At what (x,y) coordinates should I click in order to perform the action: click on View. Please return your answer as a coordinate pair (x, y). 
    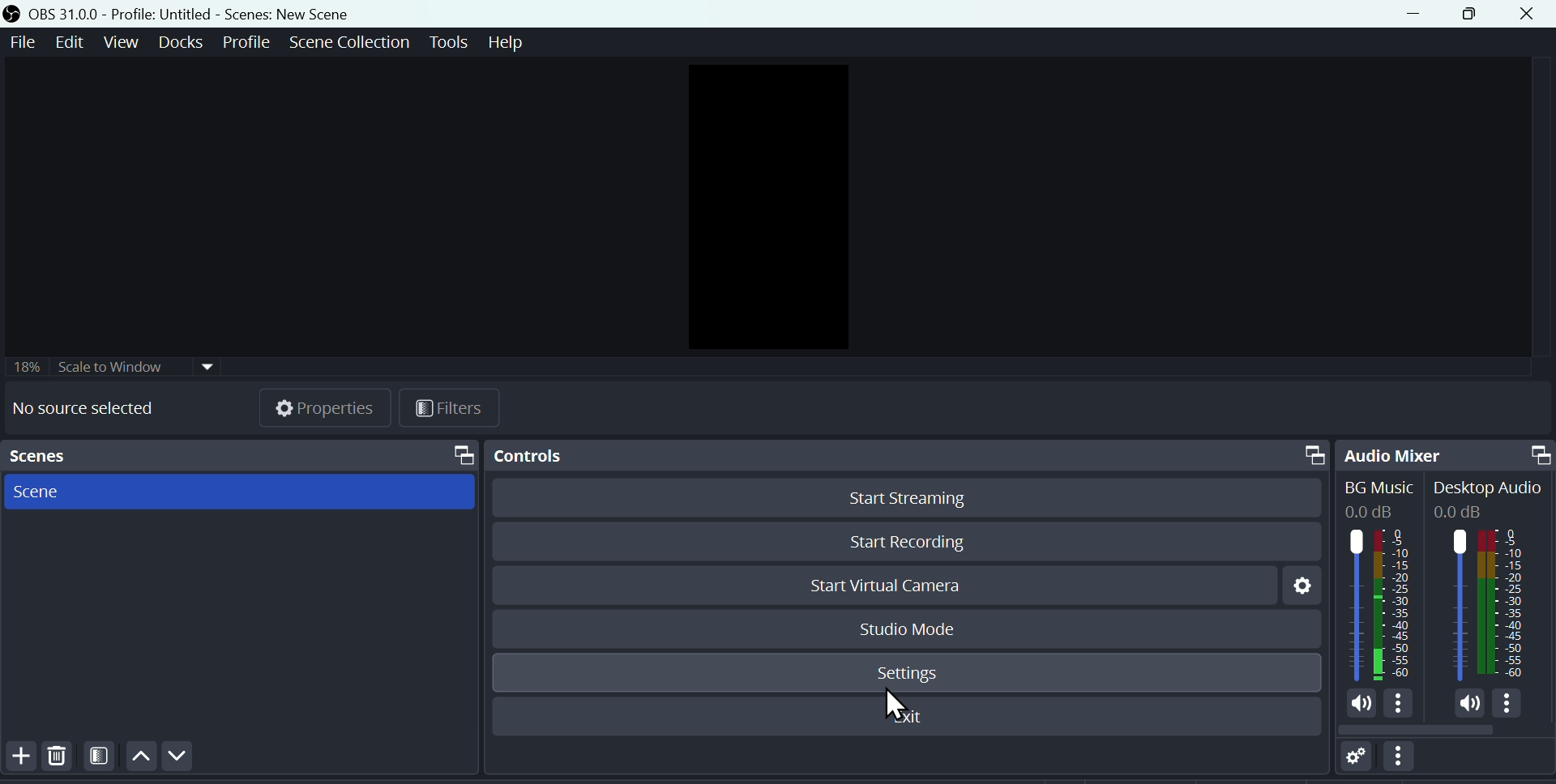
    Looking at the image, I should click on (120, 42).